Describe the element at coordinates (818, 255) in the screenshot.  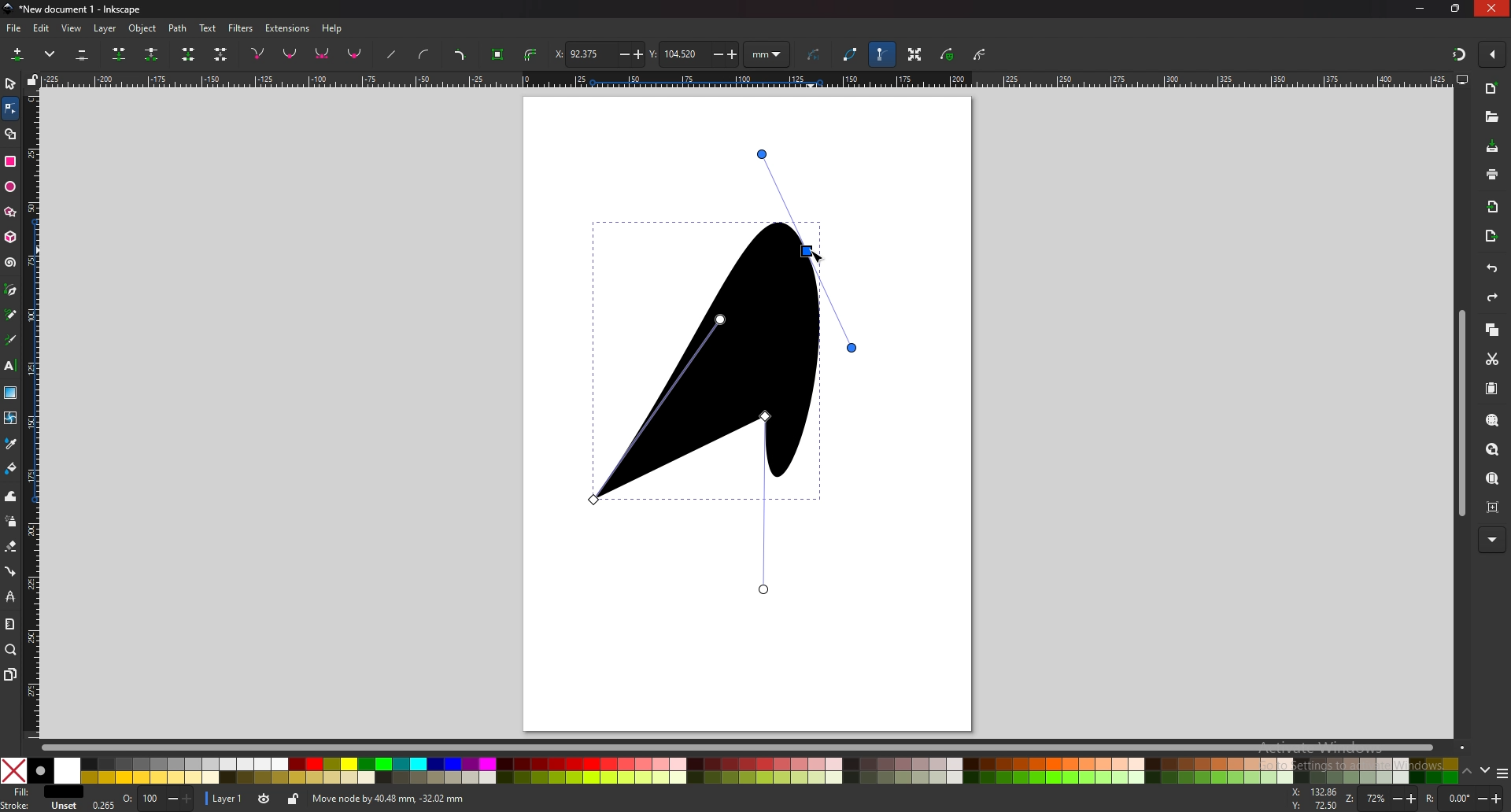
I see `cursor` at that location.